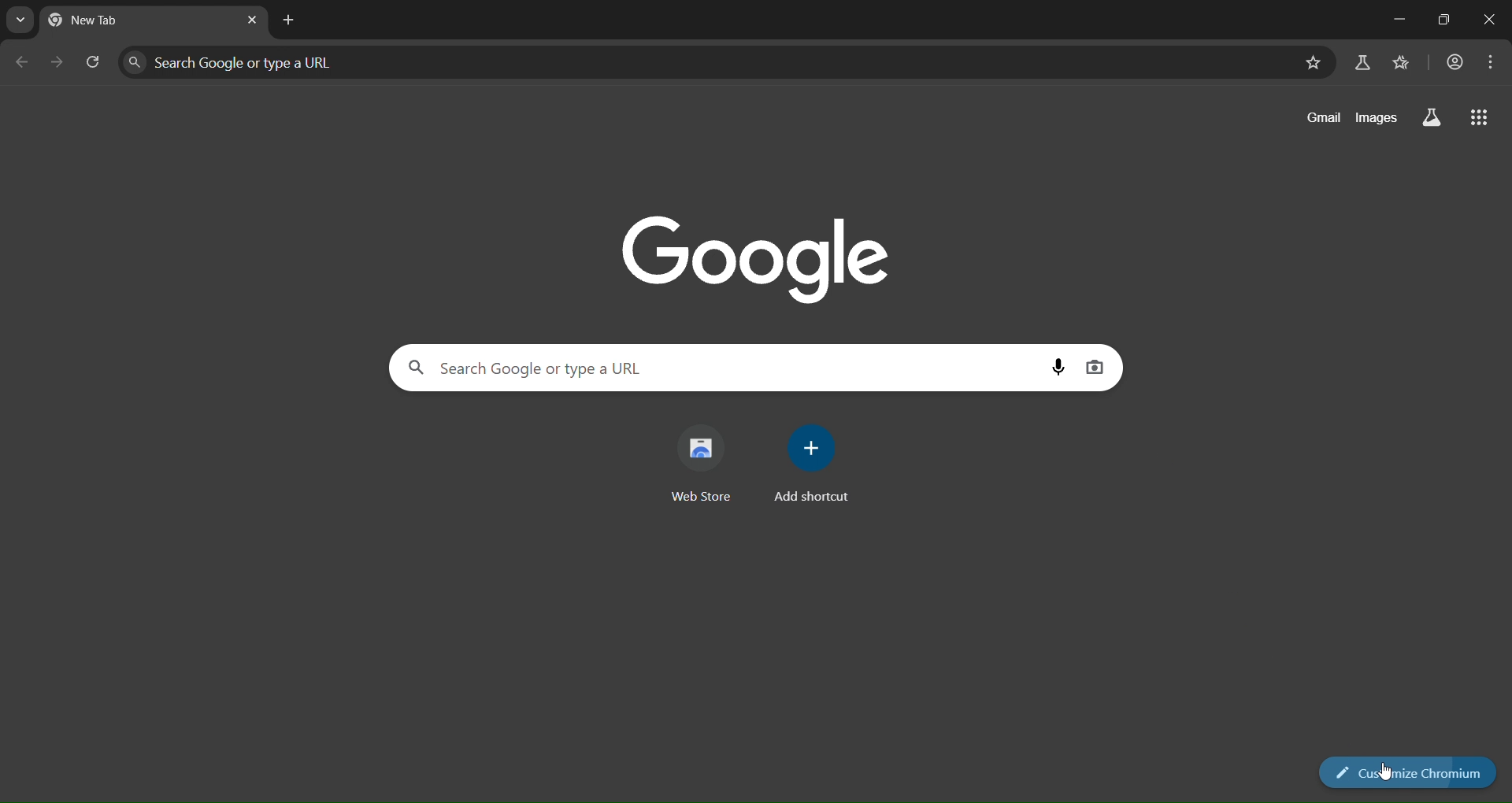  What do you see at coordinates (1060, 364) in the screenshot?
I see `voice search` at bounding box center [1060, 364].